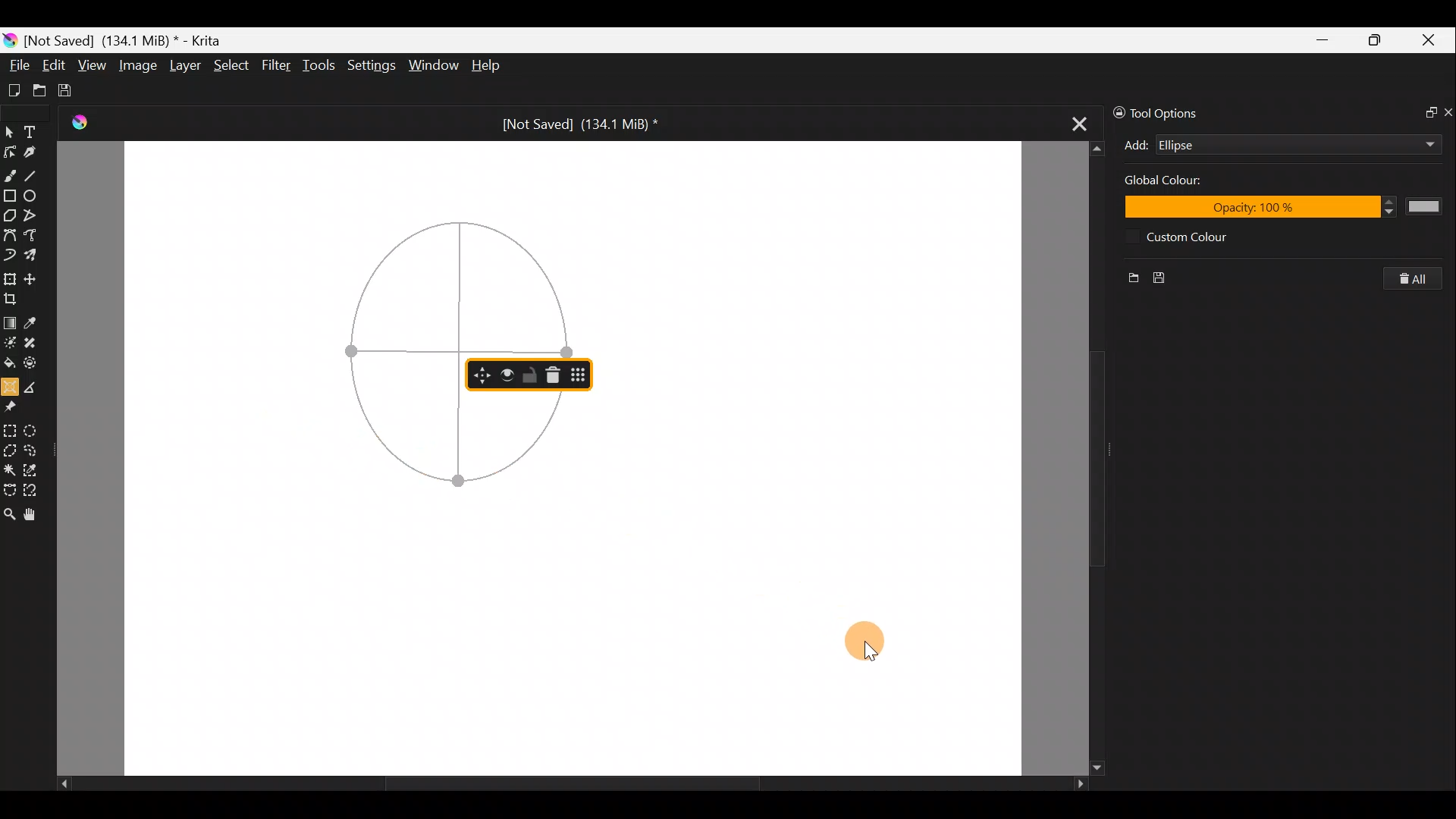 The height and width of the screenshot is (819, 1456). What do you see at coordinates (11, 277) in the screenshot?
I see `Transform a layer/selection` at bounding box center [11, 277].